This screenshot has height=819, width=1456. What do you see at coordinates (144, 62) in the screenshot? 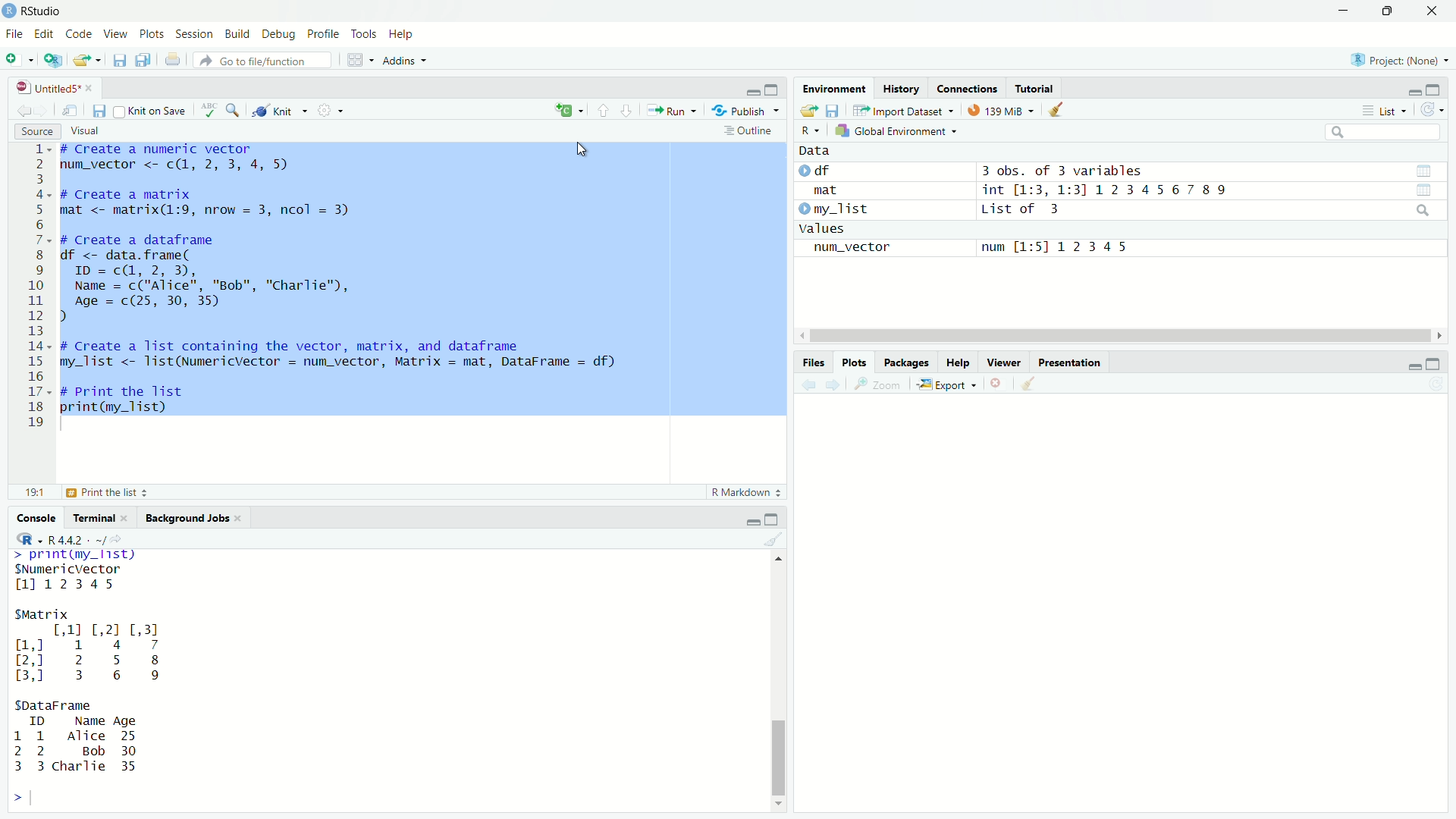
I see `copy` at bounding box center [144, 62].